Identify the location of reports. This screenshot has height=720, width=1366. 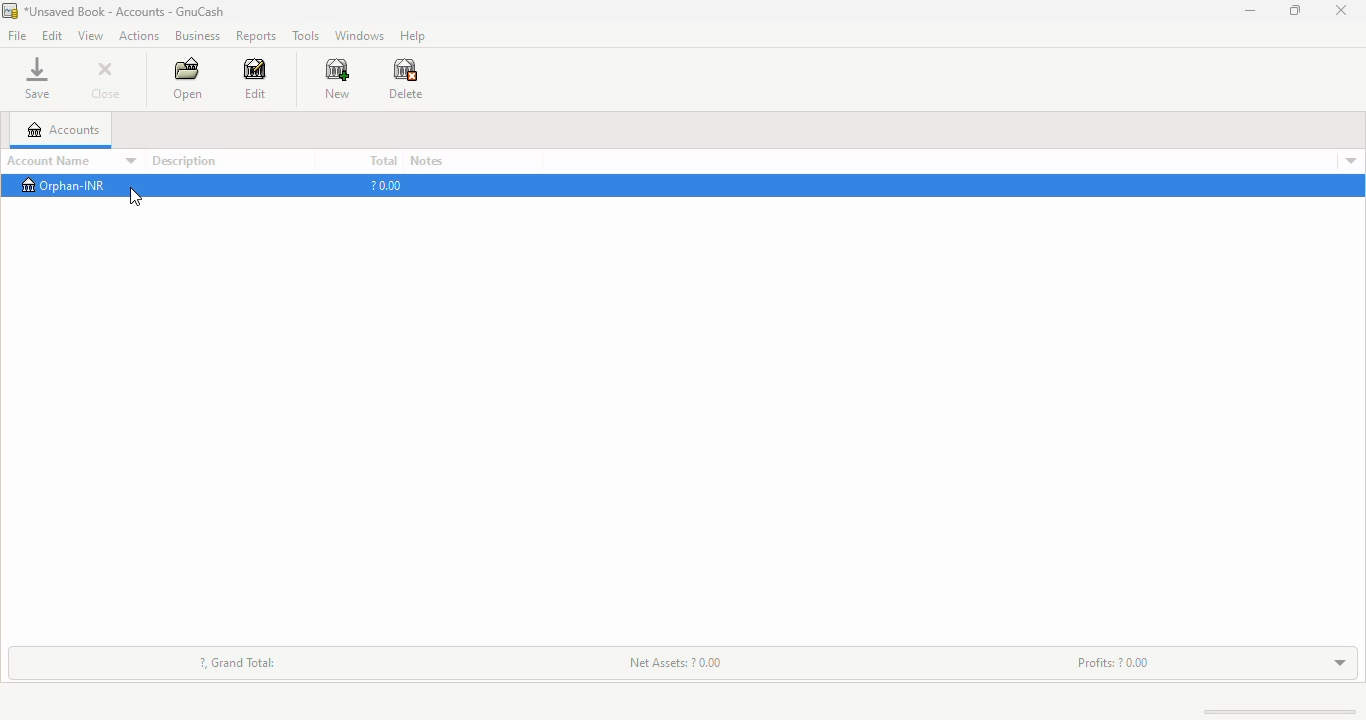
(255, 36).